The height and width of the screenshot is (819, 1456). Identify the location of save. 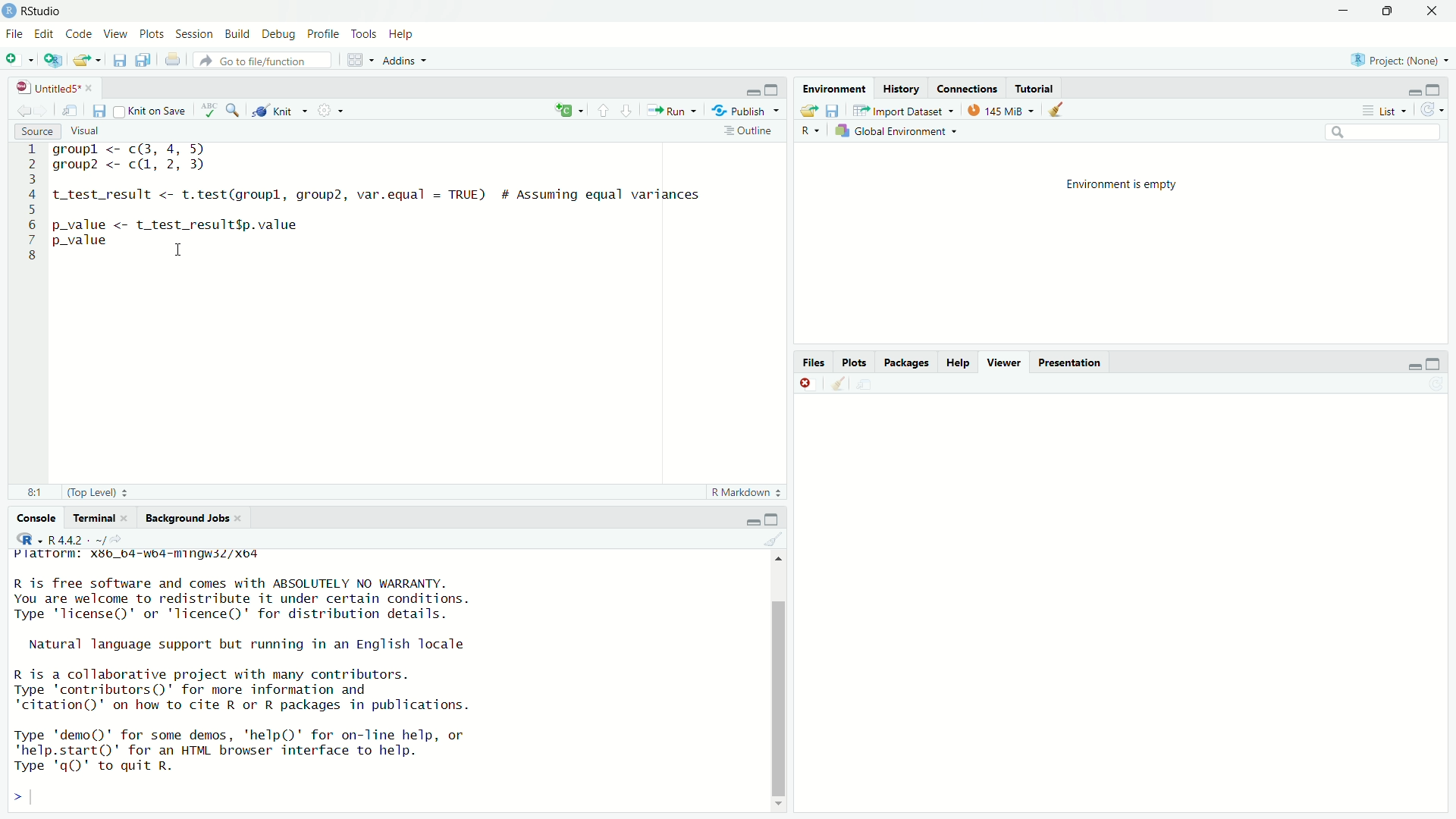
(101, 111).